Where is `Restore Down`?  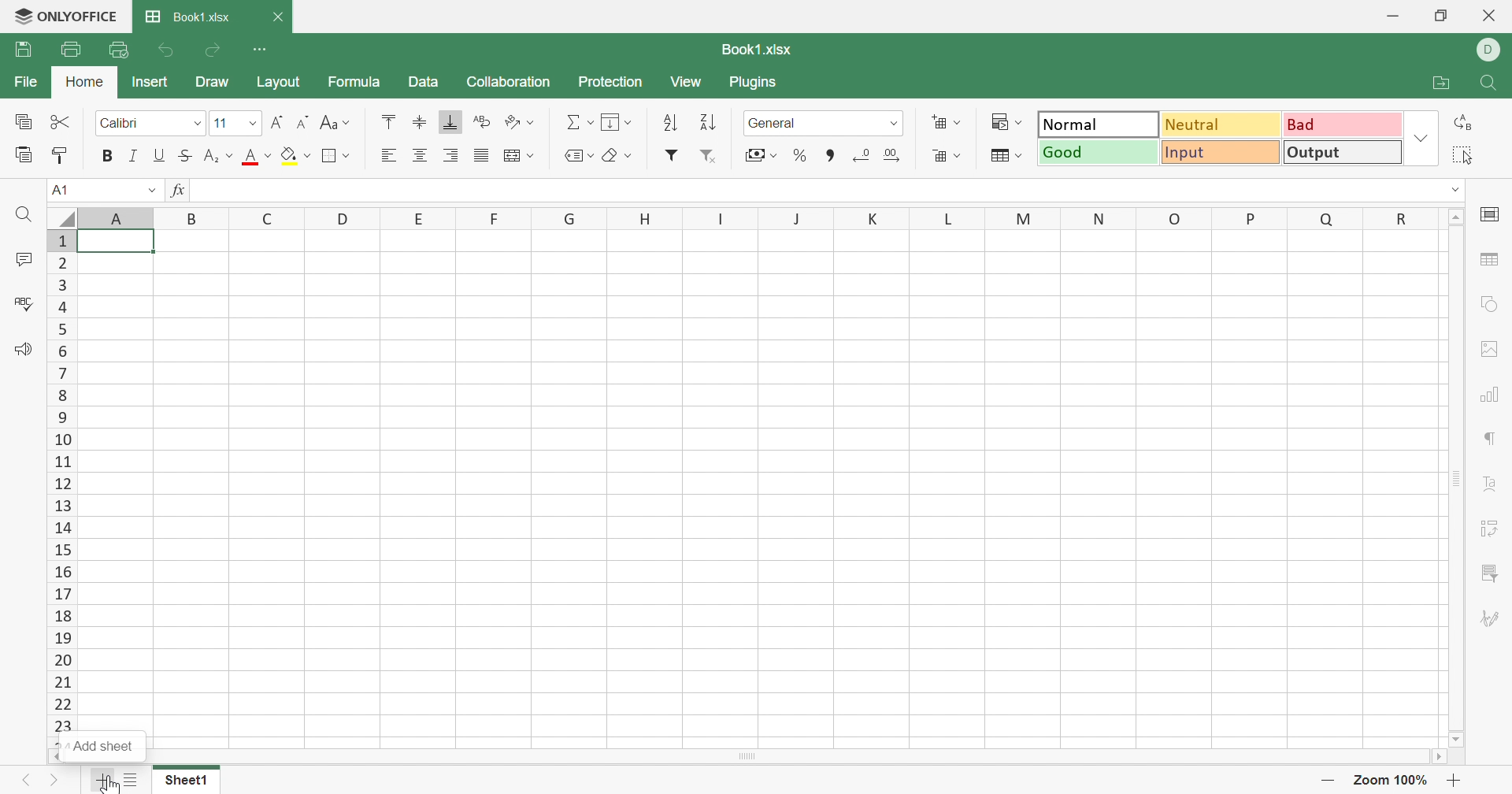 Restore Down is located at coordinates (1439, 13).